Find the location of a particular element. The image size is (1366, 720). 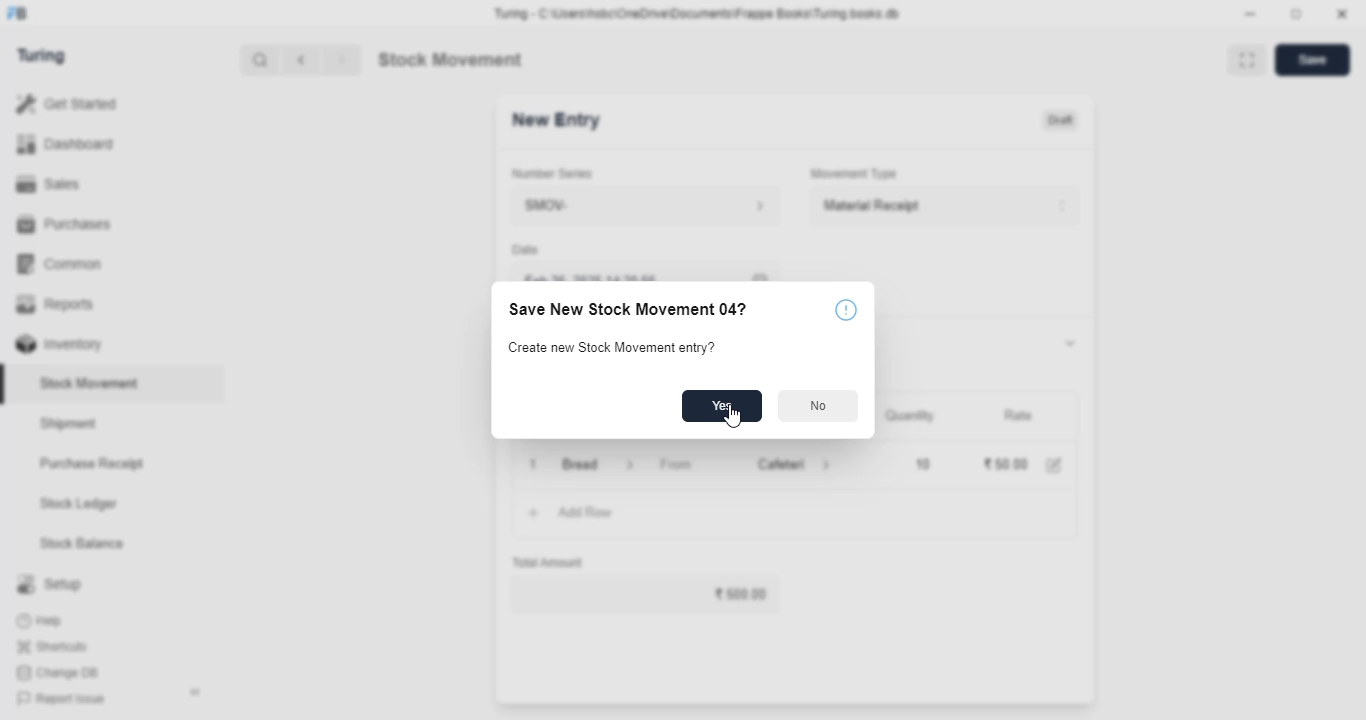

inventory is located at coordinates (59, 344).